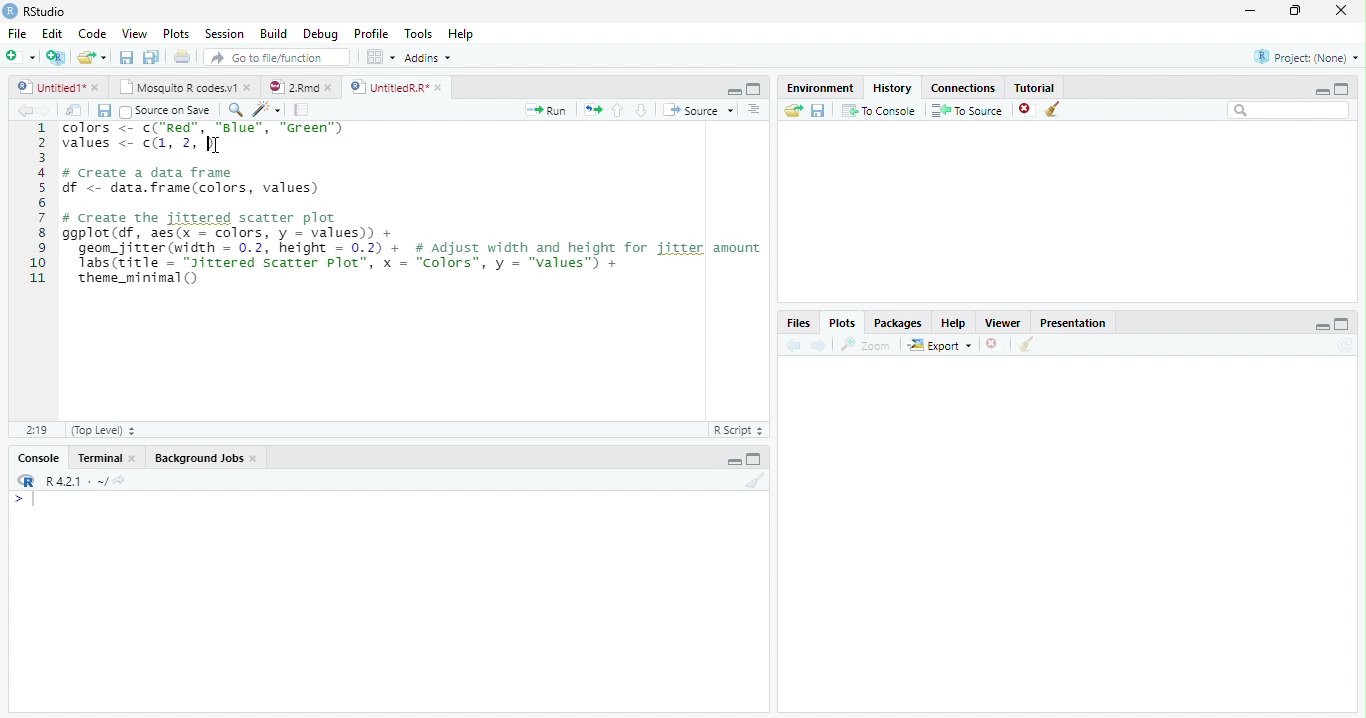 This screenshot has height=718, width=1366. I want to click on Profile, so click(372, 33).